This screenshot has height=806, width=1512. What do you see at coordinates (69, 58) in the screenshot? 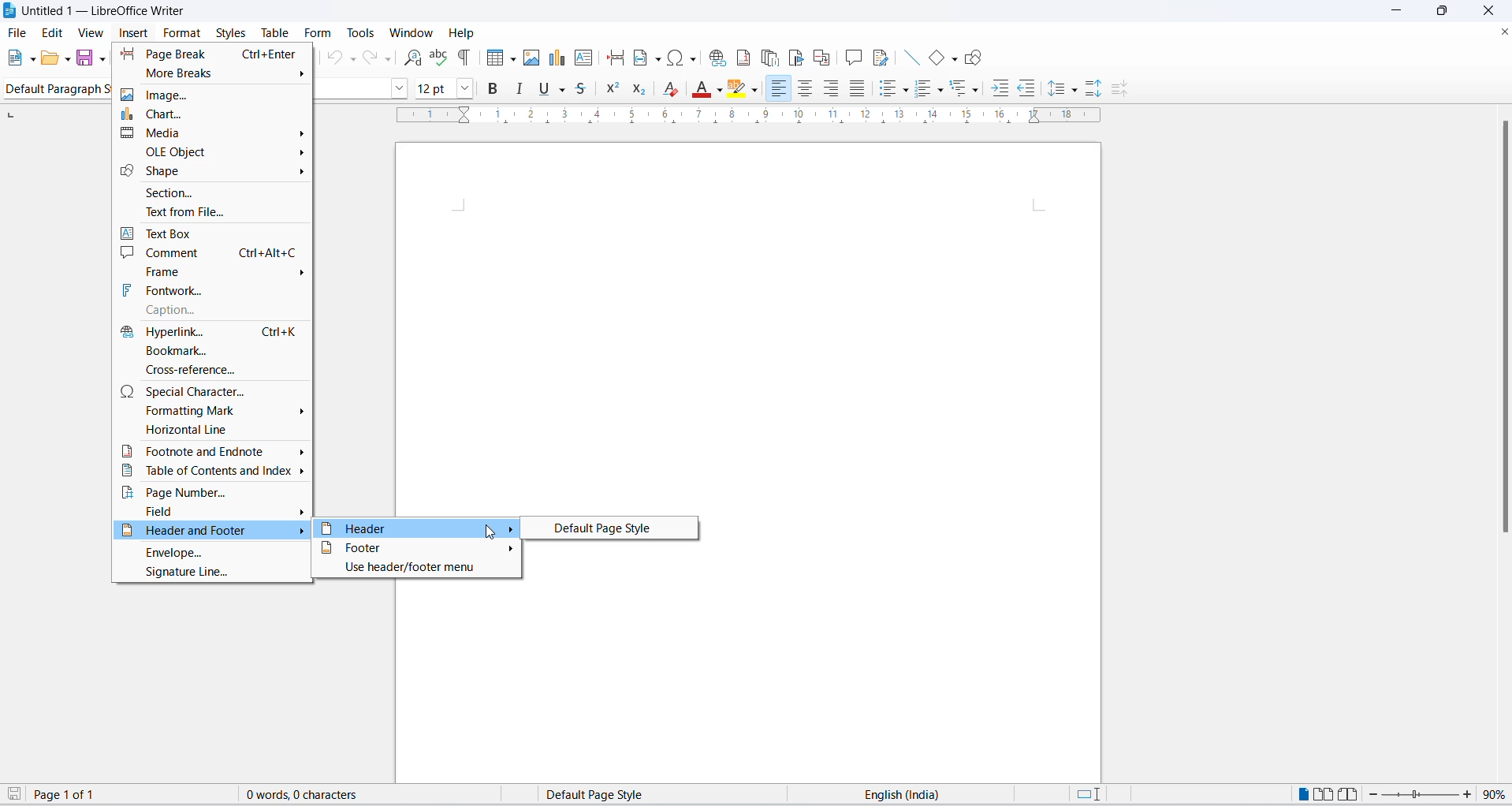
I see `open options` at bounding box center [69, 58].